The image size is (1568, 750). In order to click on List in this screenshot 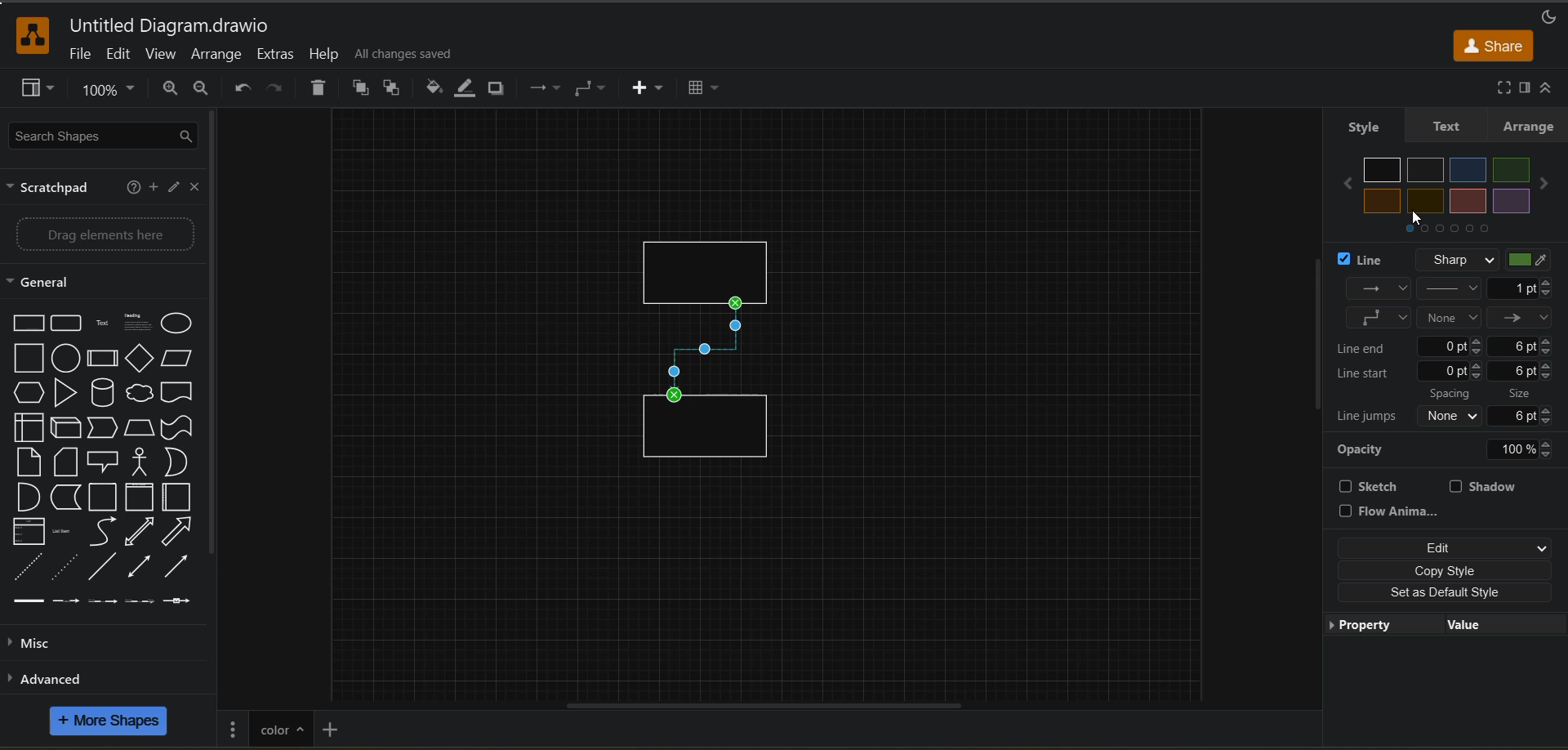, I will do `click(28, 532)`.